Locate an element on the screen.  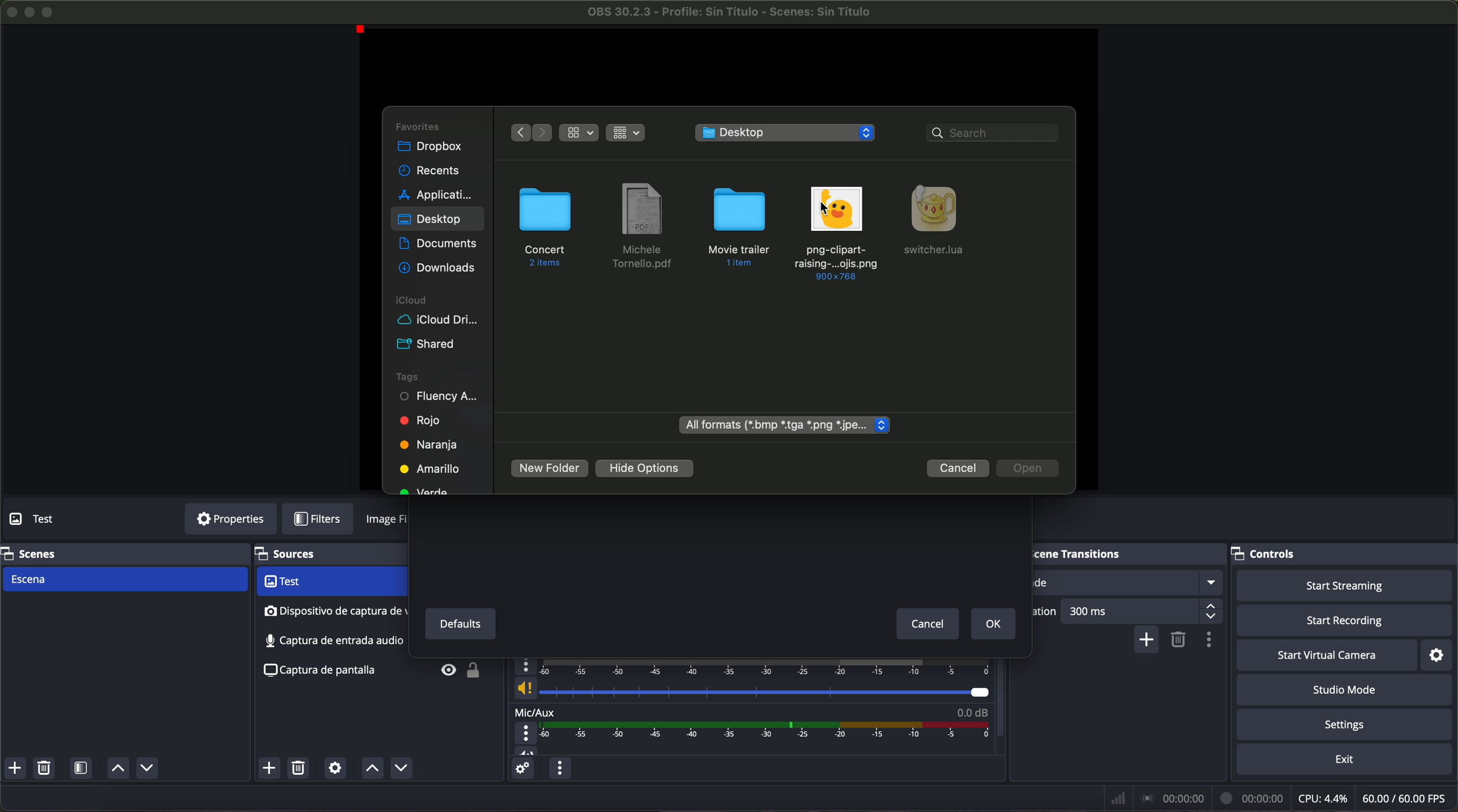
desktop is located at coordinates (787, 132).